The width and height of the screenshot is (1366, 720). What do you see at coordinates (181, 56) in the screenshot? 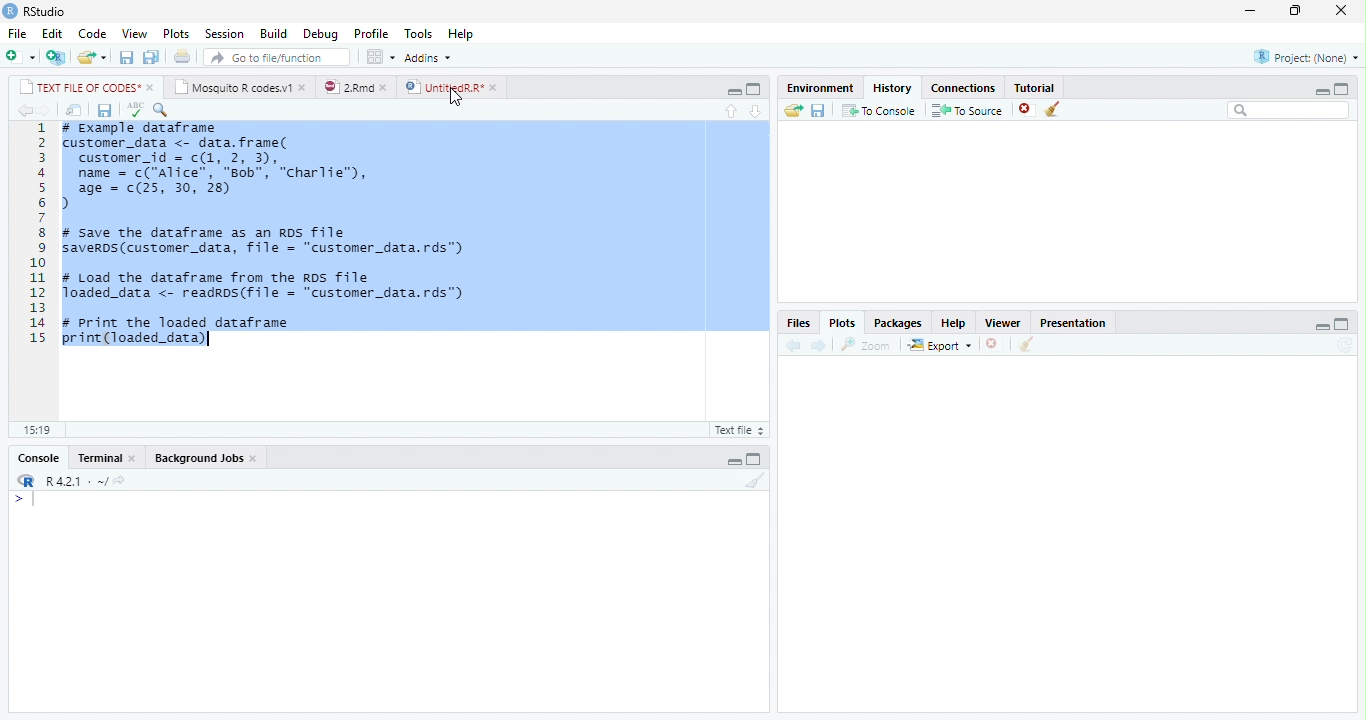
I see `print` at bounding box center [181, 56].